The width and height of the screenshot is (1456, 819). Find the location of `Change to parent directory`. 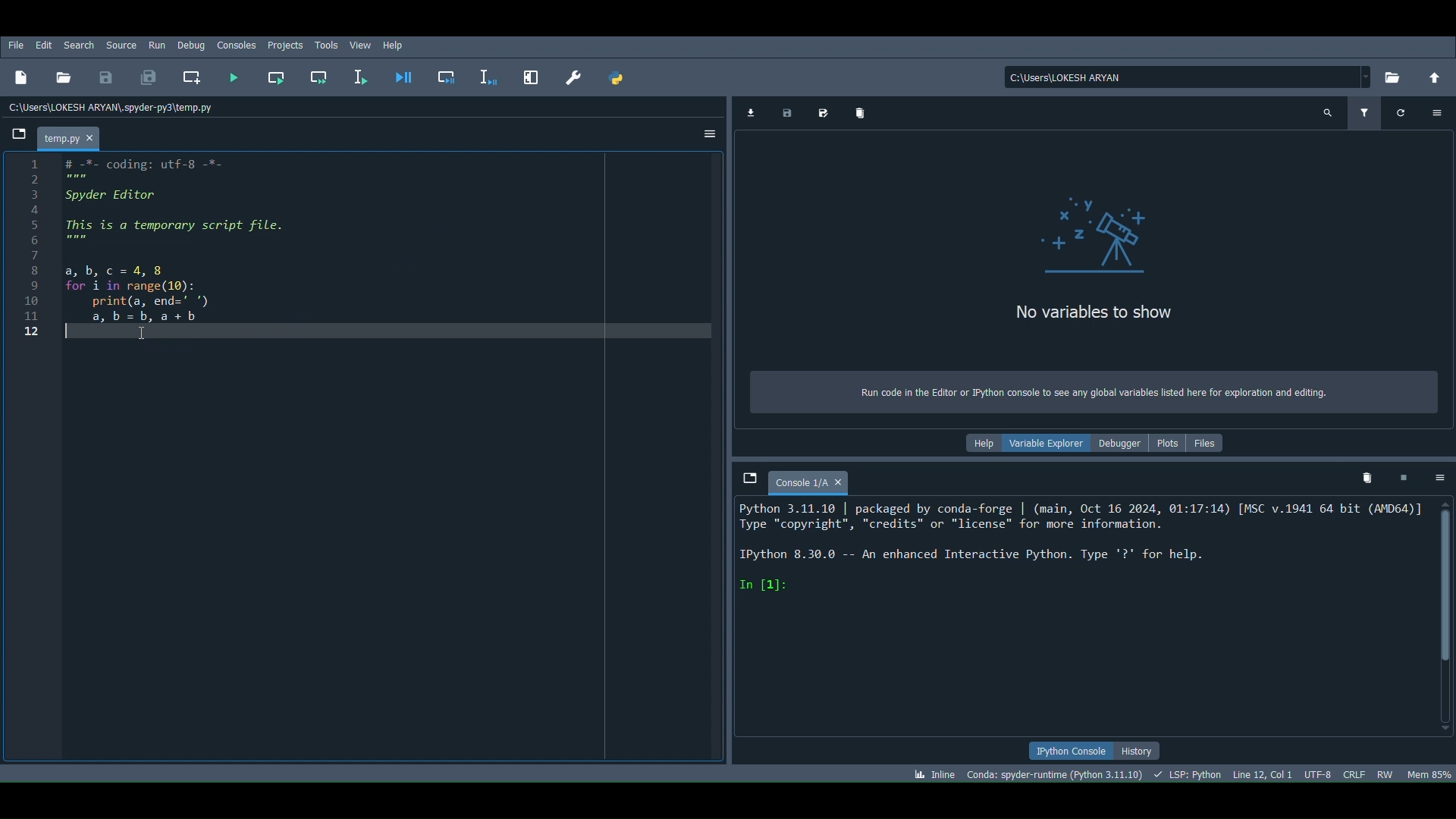

Change to parent directory is located at coordinates (1433, 76).